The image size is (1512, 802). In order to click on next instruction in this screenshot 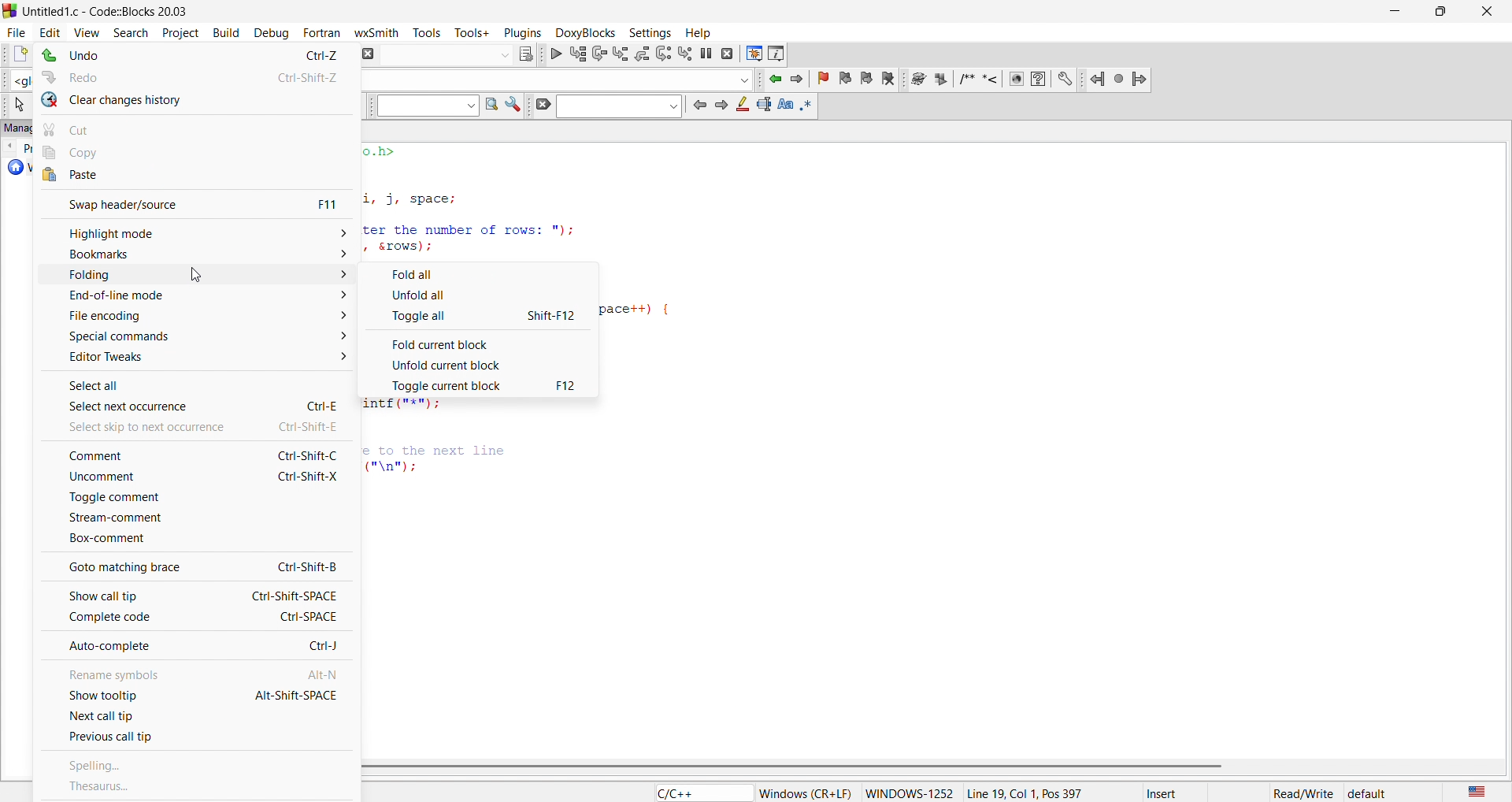, I will do `click(663, 52)`.